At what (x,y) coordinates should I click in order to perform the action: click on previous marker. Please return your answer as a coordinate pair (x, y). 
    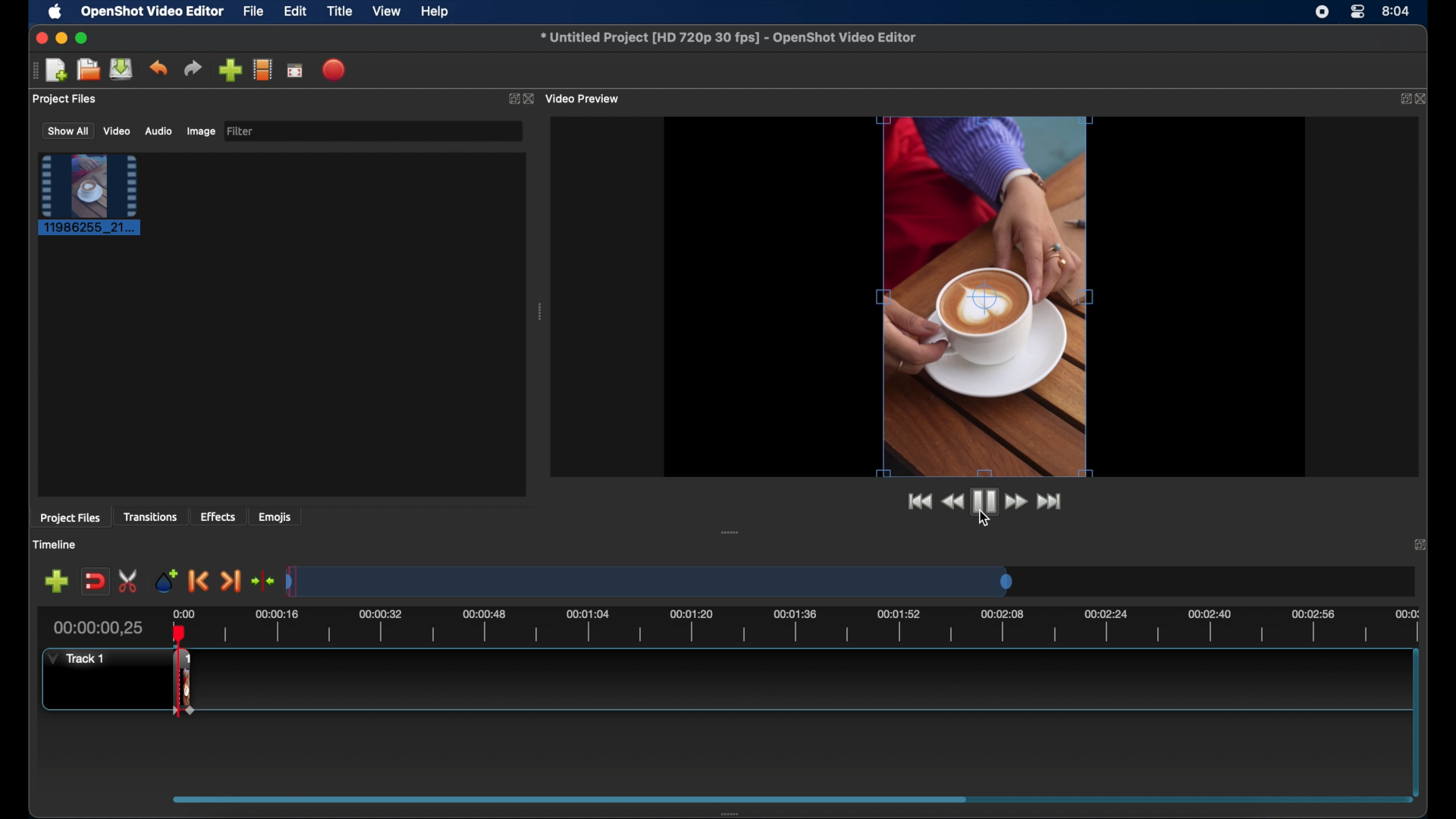
    Looking at the image, I should click on (199, 582).